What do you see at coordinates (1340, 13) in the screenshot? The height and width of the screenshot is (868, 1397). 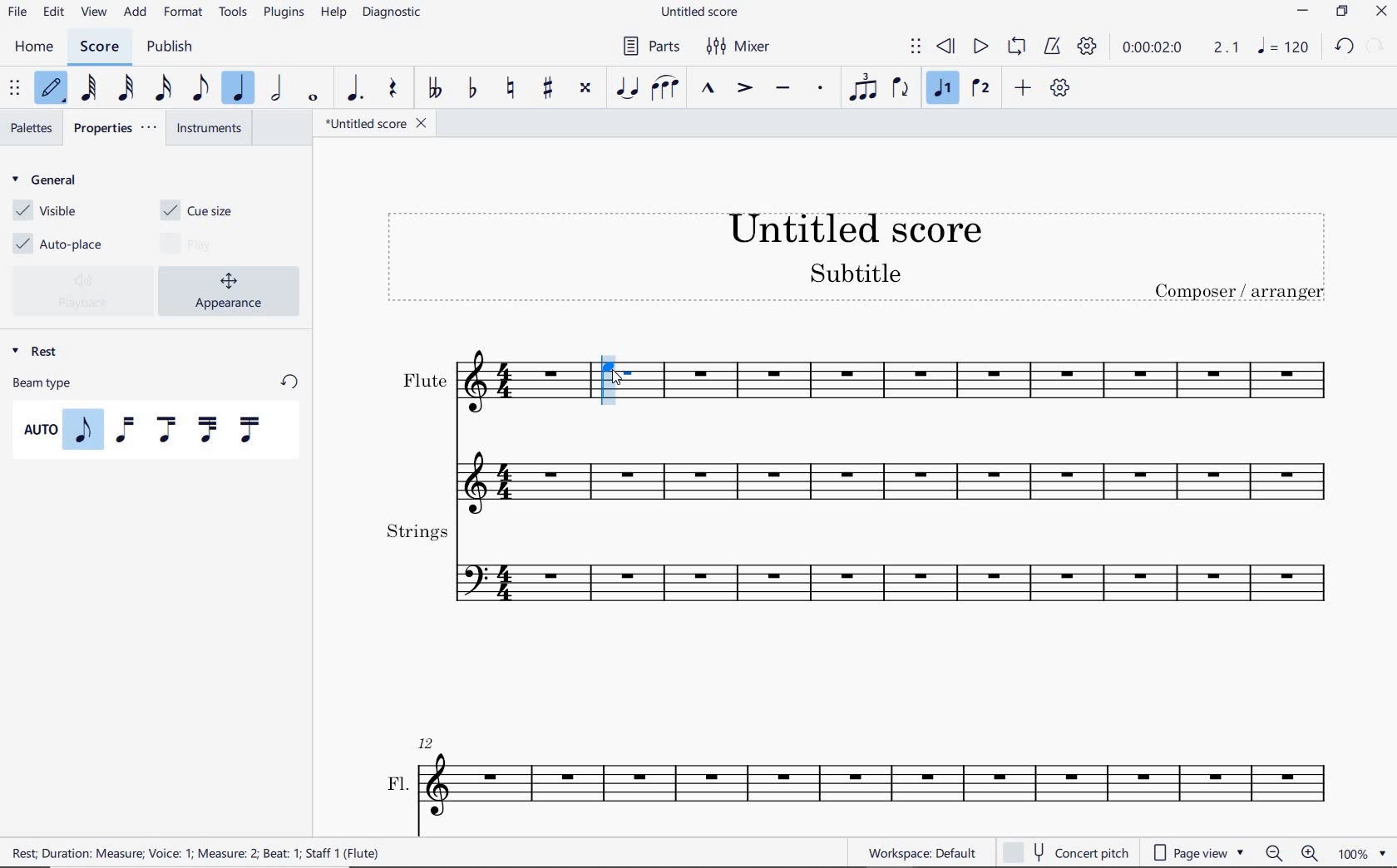 I see `restore down` at bounding box center [1340, 13].